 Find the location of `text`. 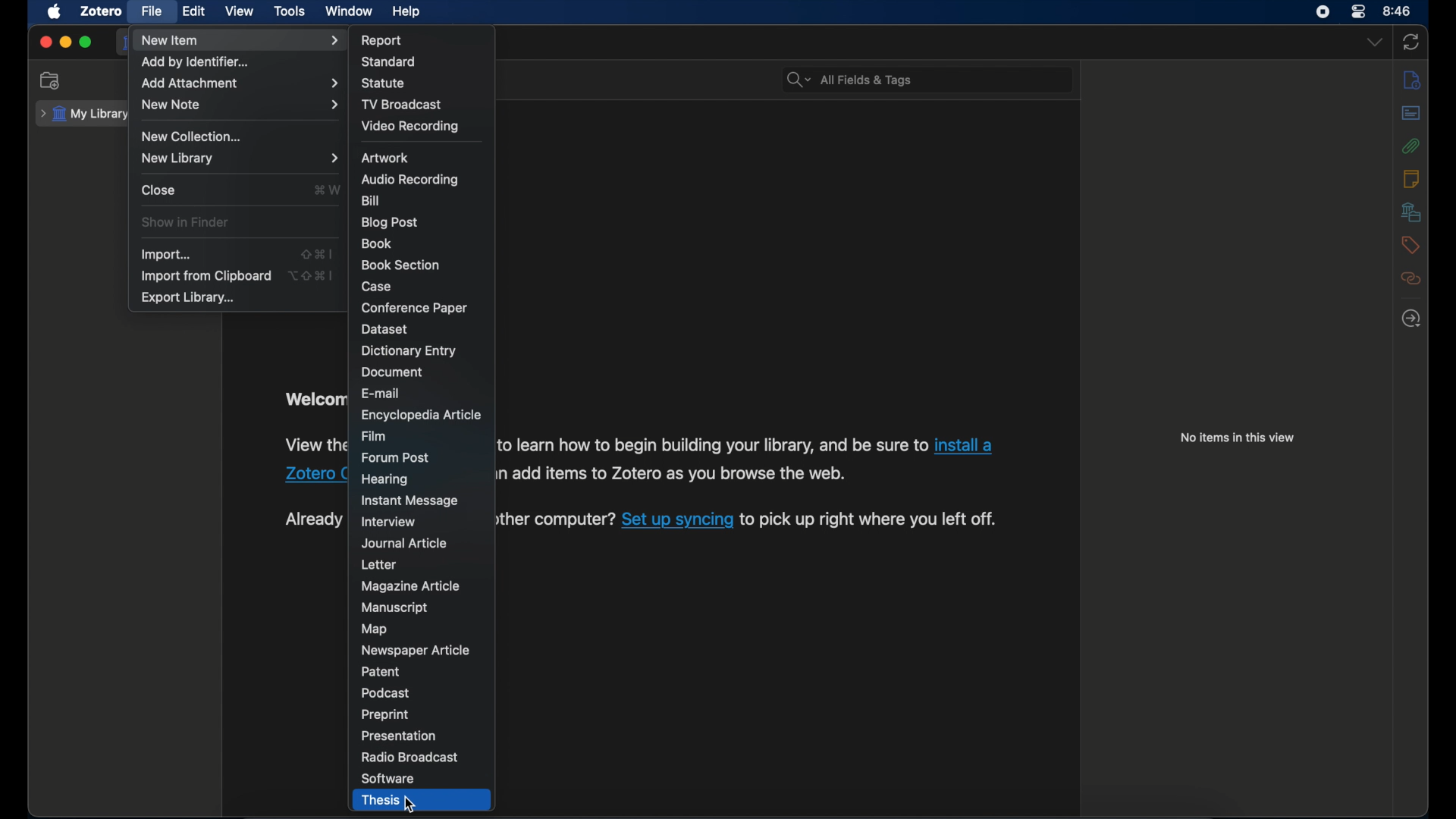

text is located at coordinates (314, 519).